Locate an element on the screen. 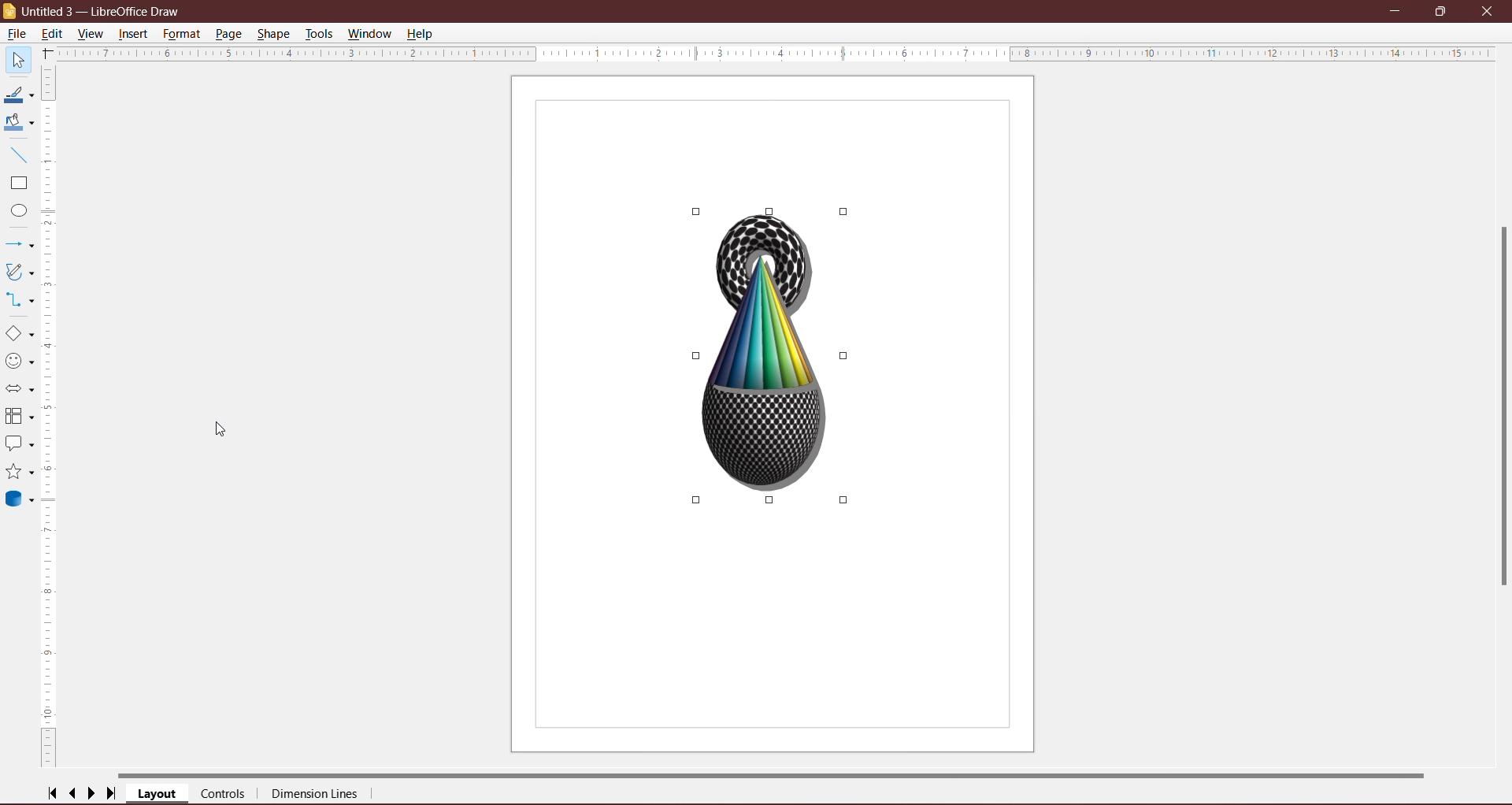  Shape is located at coordinates (273, 34).